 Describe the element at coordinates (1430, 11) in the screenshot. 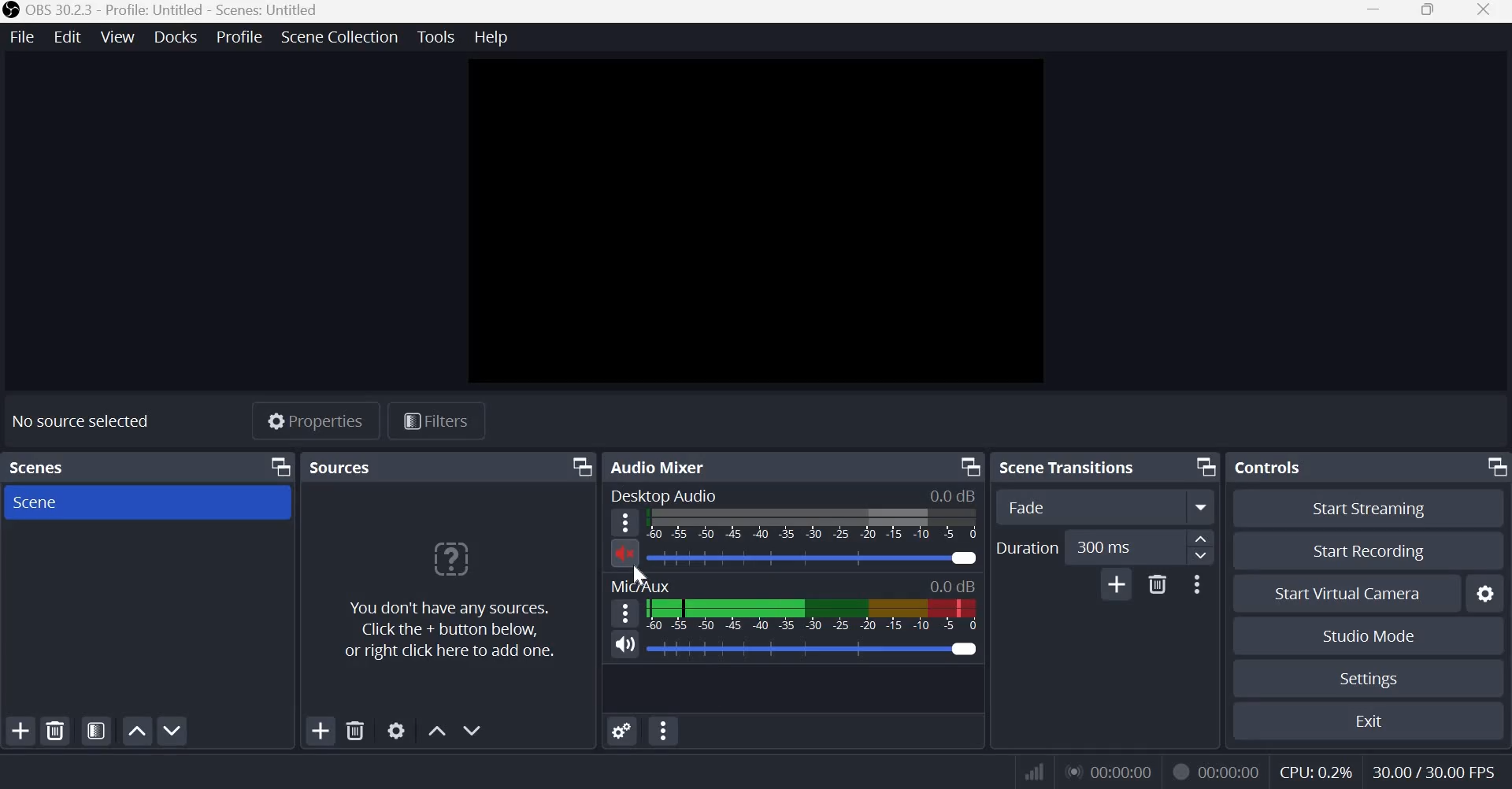

I see `Maximize` at that location.